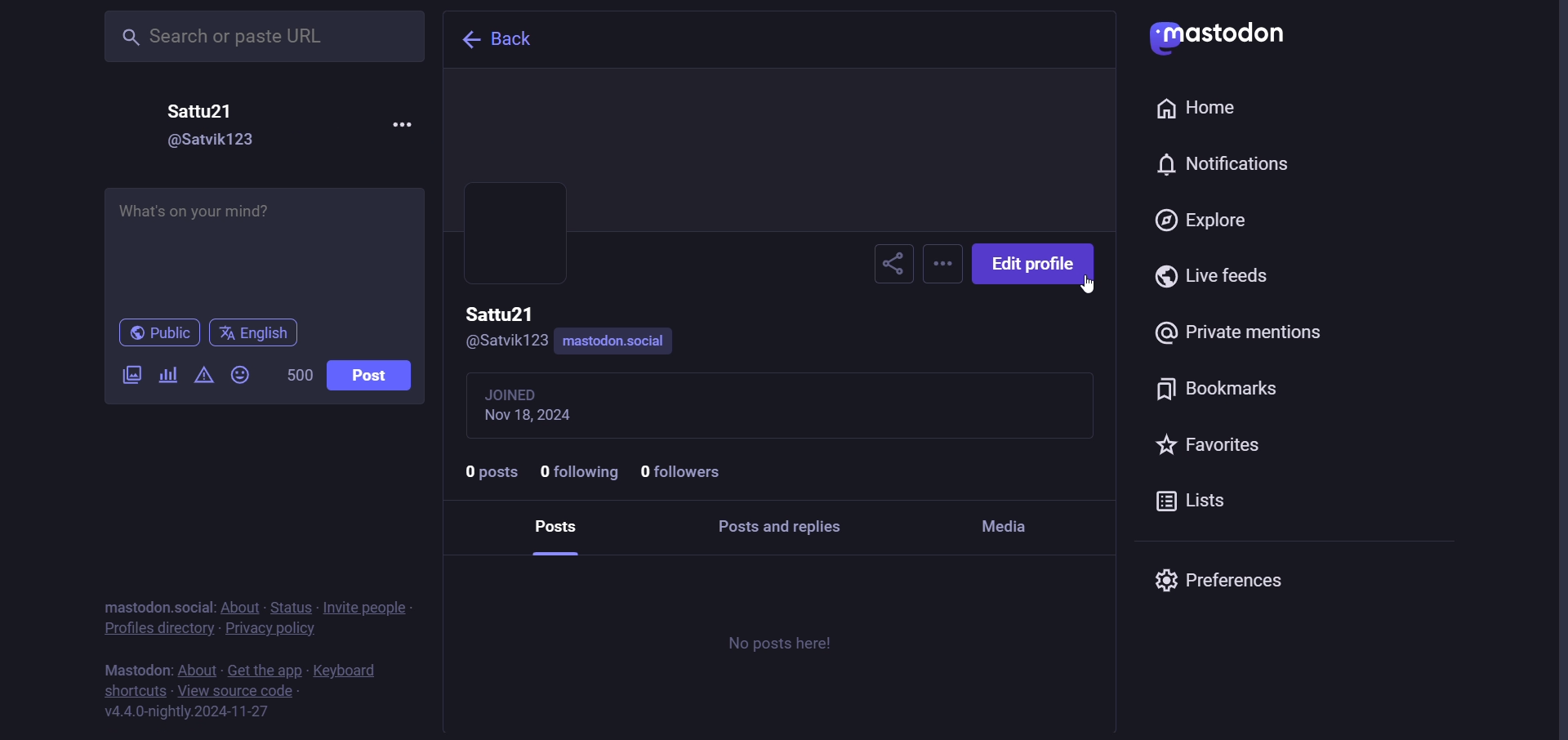  Describe the element at coordinates (555, 524) in the screenshot. I see `posts` at that location.